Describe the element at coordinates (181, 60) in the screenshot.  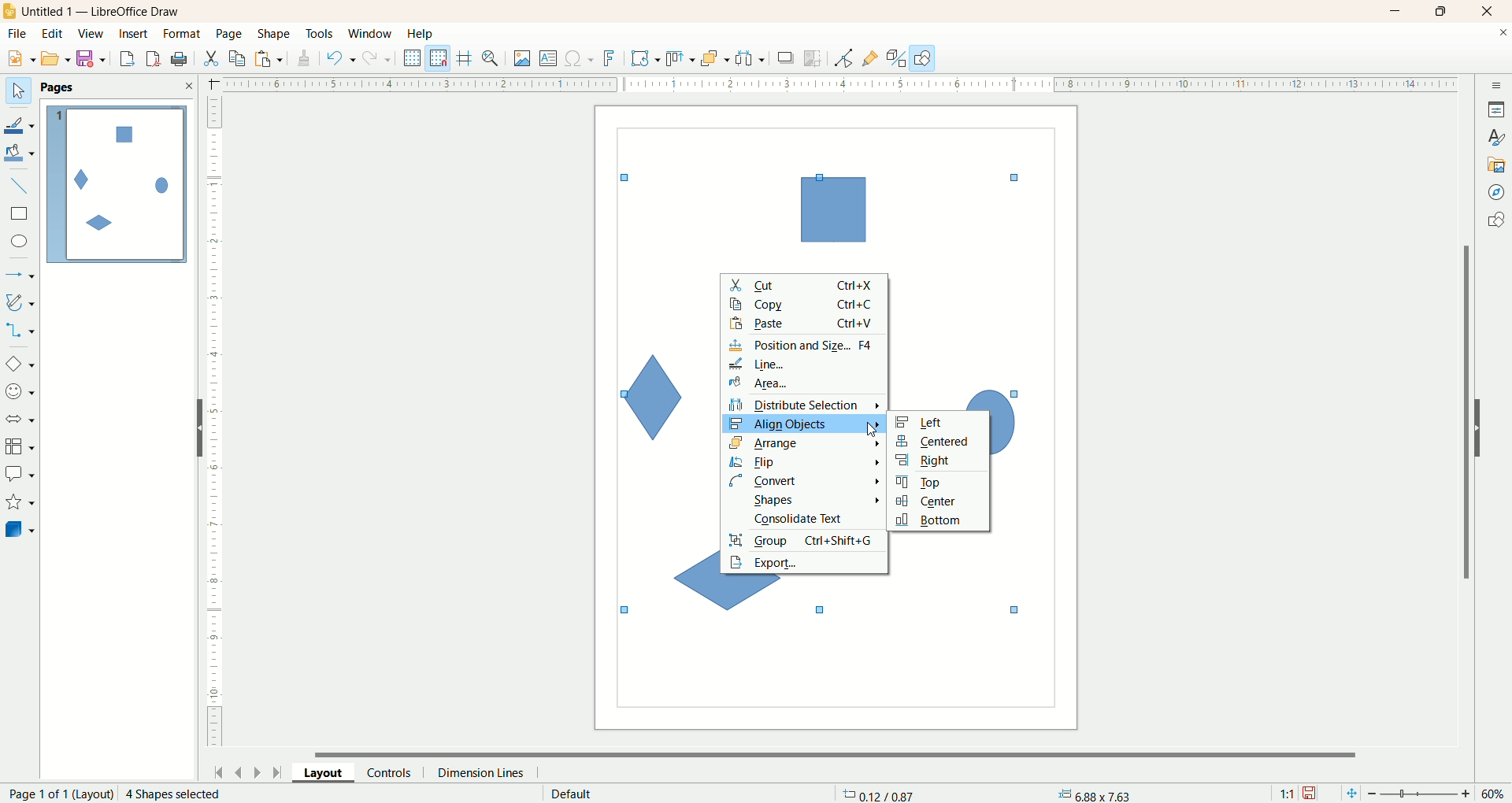
I see `export as PDF` at that location.